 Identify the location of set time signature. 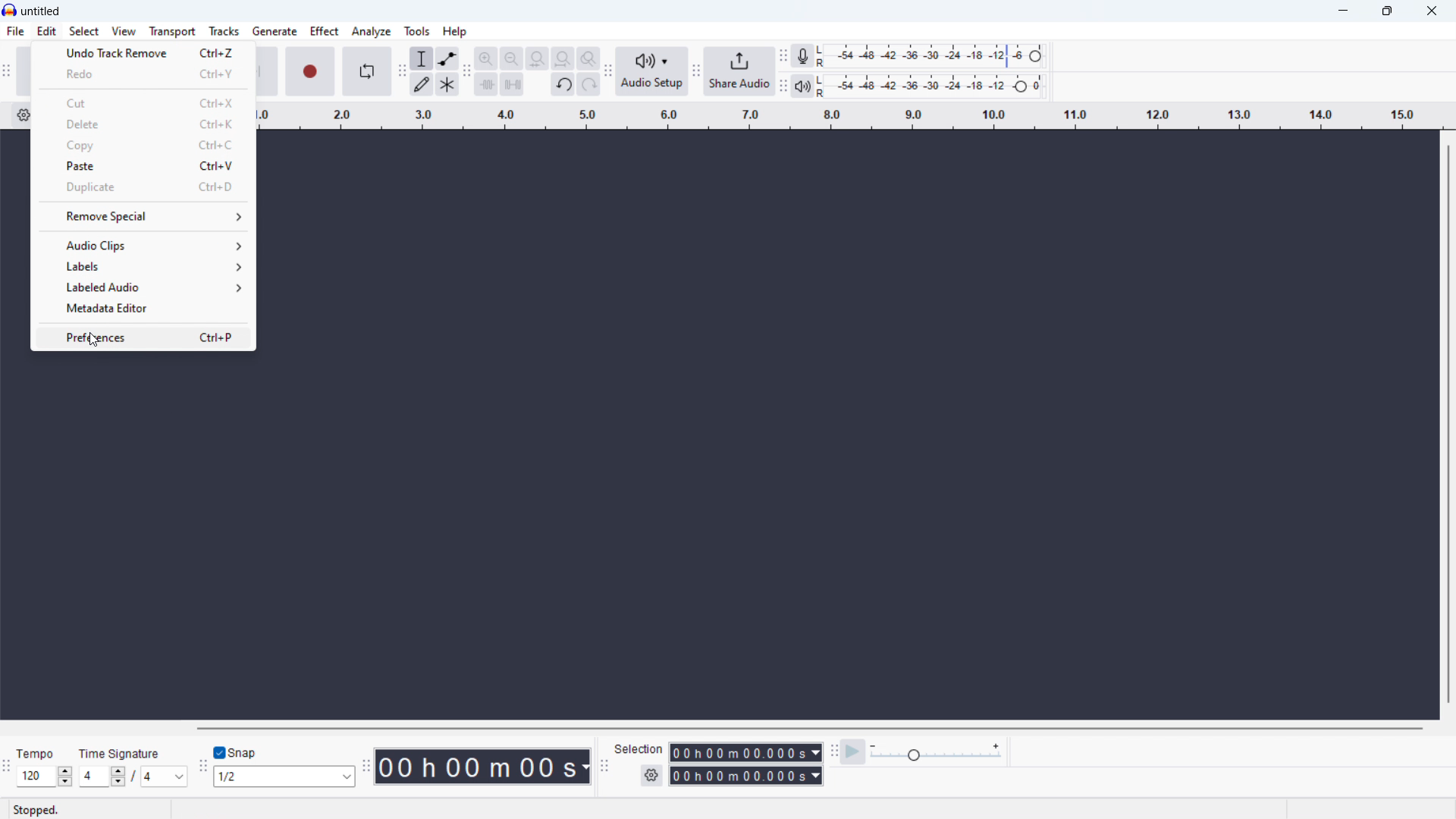
(131, 777).